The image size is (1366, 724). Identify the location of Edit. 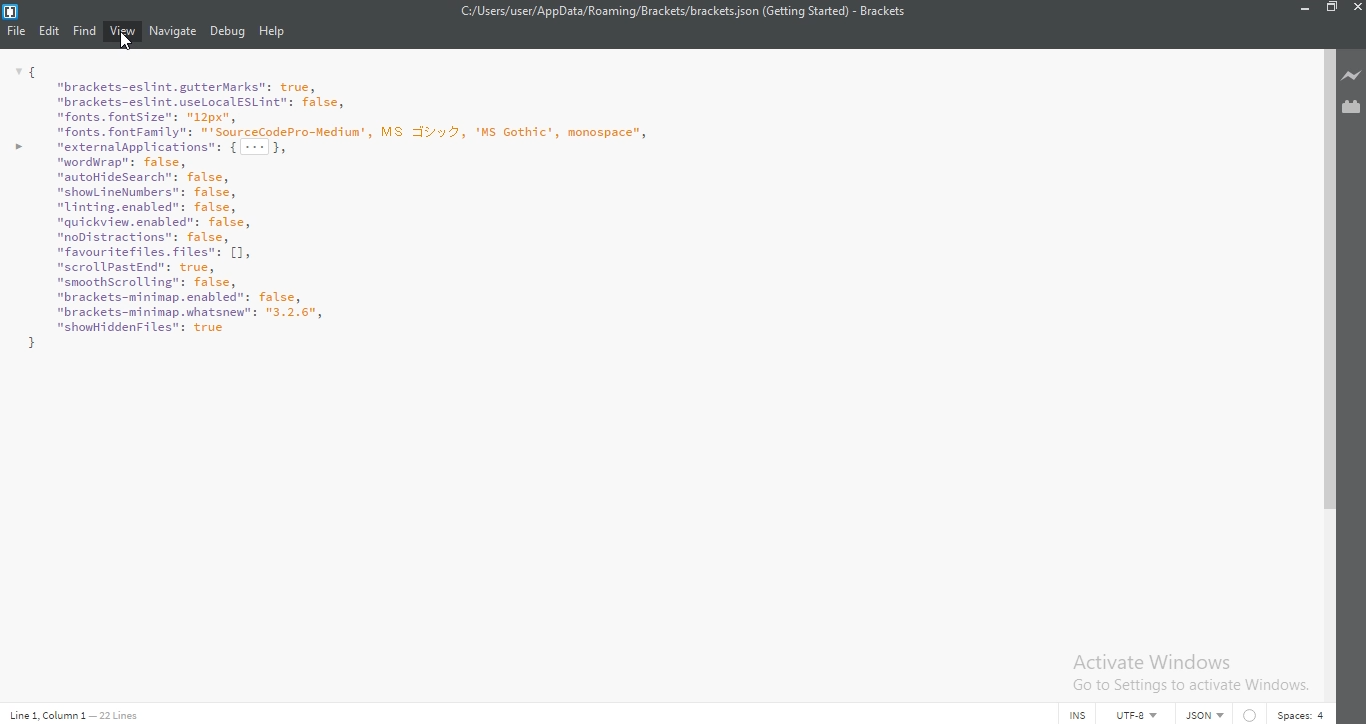
(52, 31).